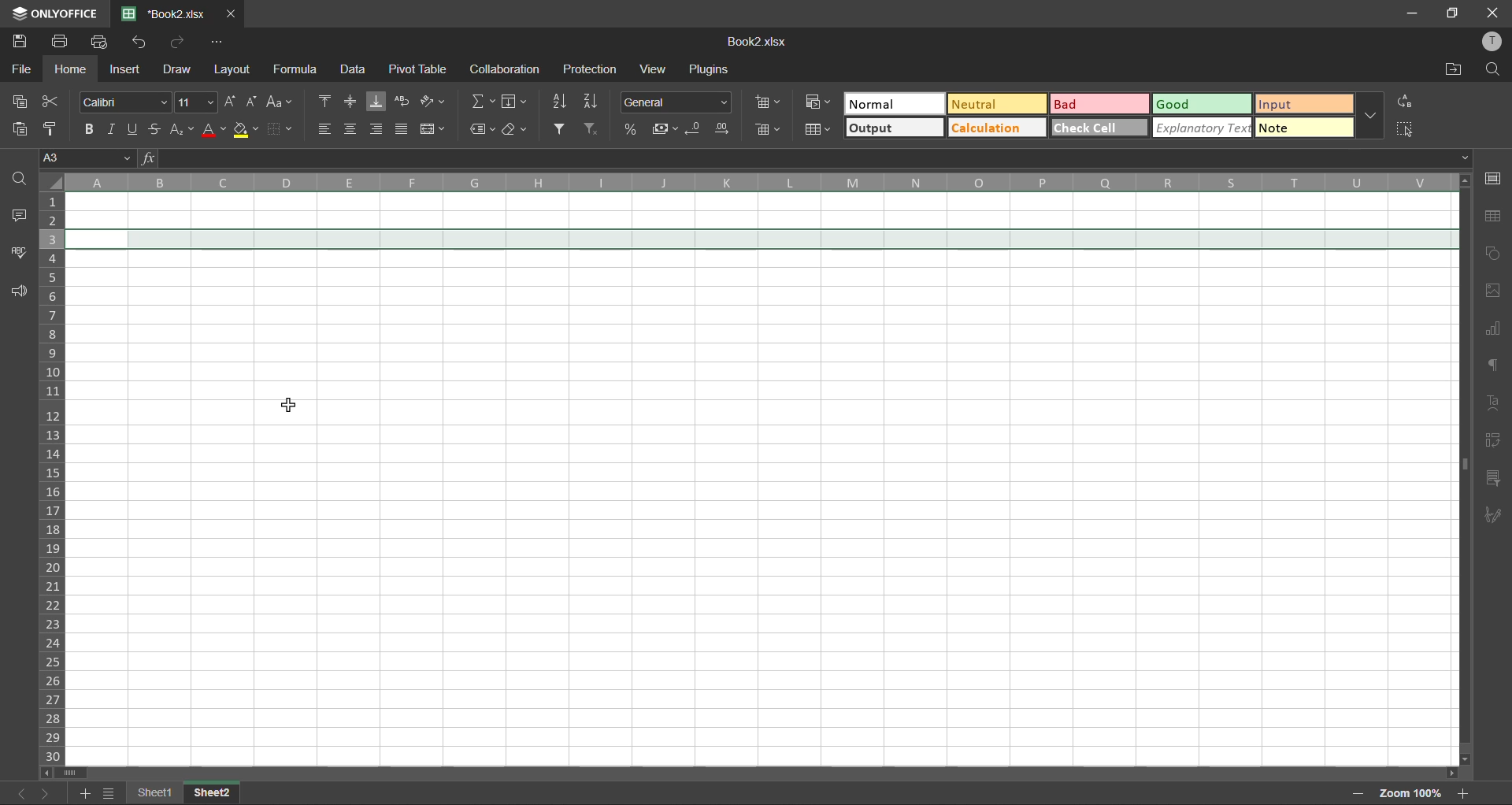 This screenshot has height=805, width=1512. Describe the element at coordinates (214, 129) in the screenshot. I see `font color` at that location.